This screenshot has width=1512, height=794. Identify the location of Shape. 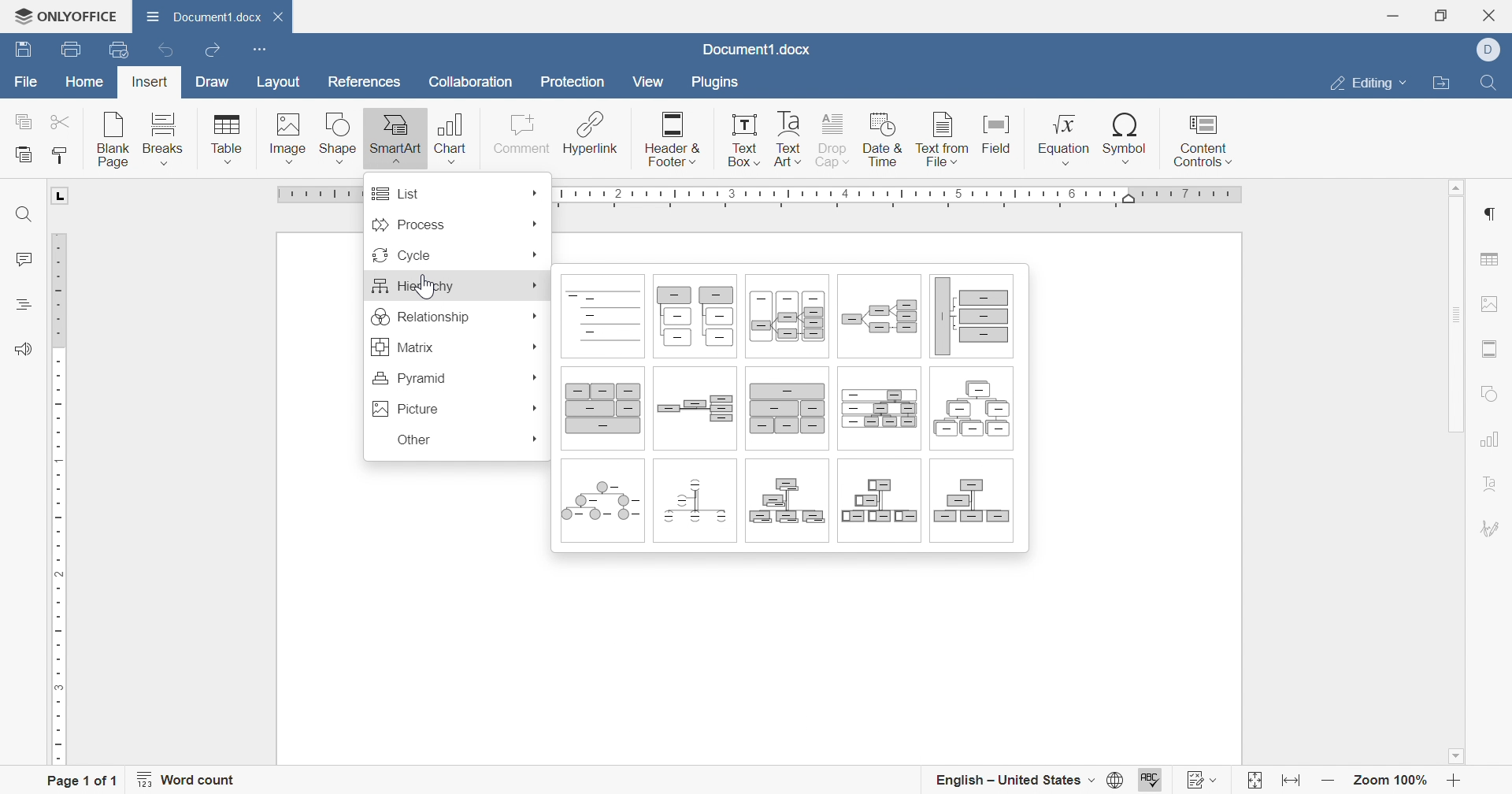
(339, 139).